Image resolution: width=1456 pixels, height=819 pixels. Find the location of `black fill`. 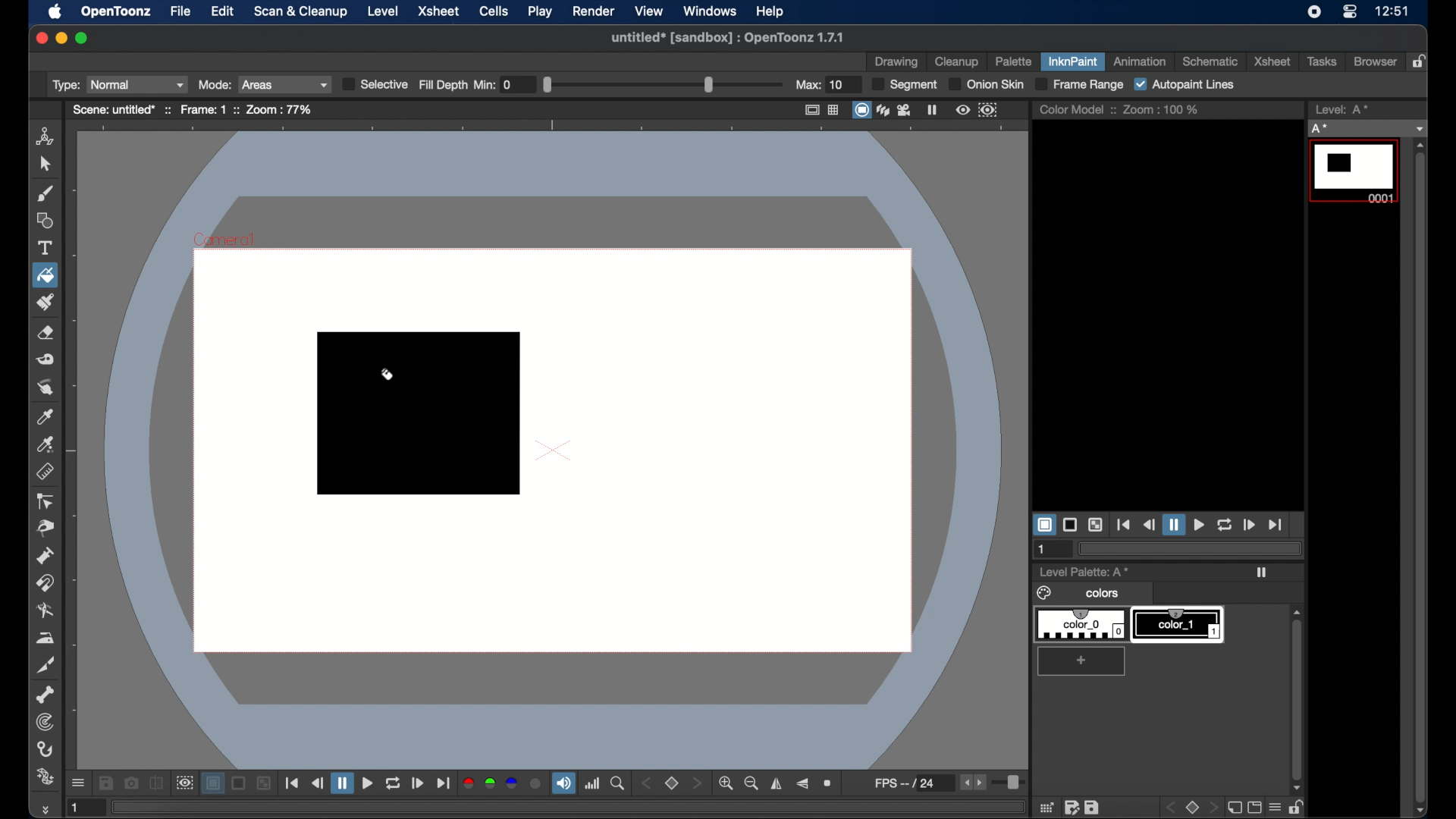

black fill is located at coordinates (419, 413).